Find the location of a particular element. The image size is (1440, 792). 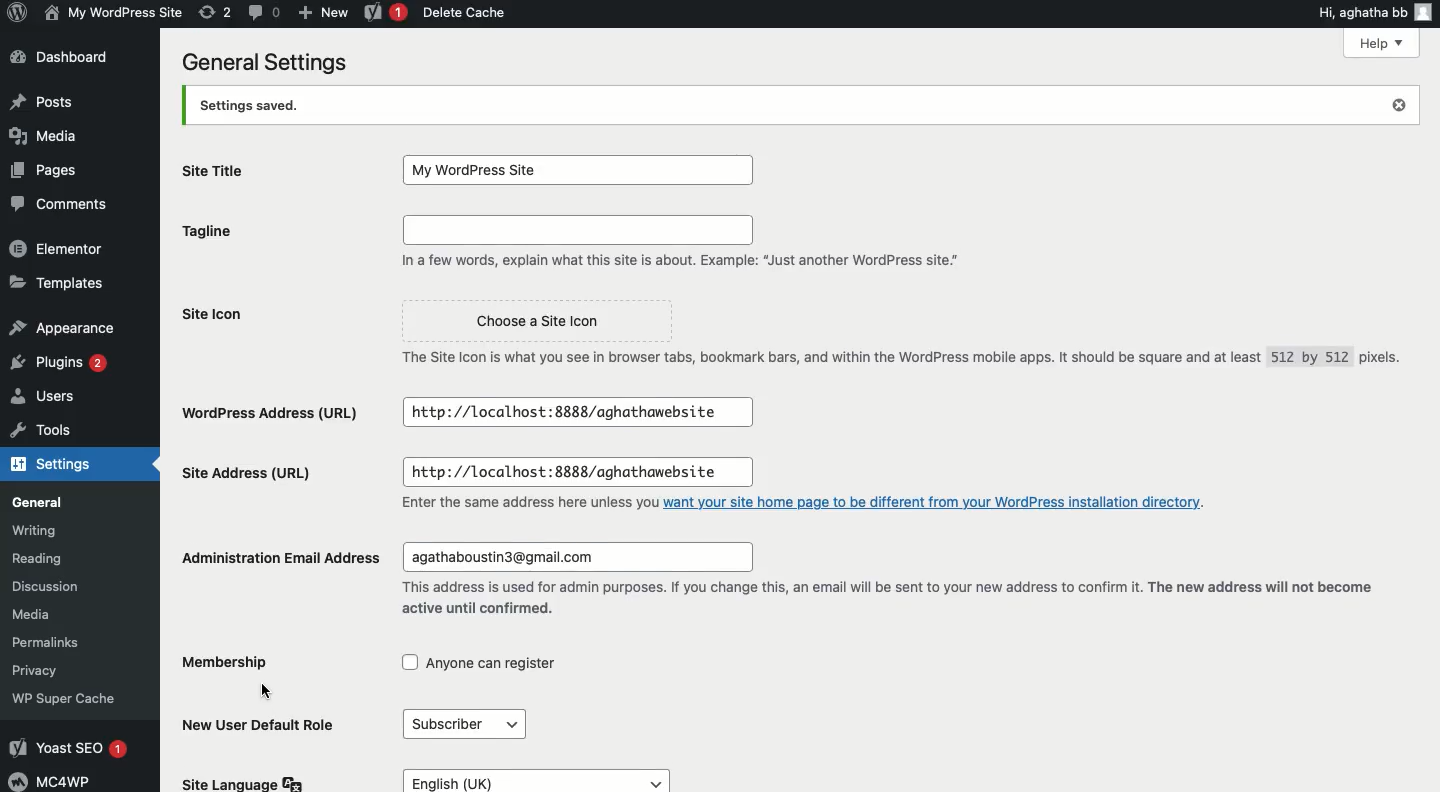

Plugins is located at coordinates (62, 360).